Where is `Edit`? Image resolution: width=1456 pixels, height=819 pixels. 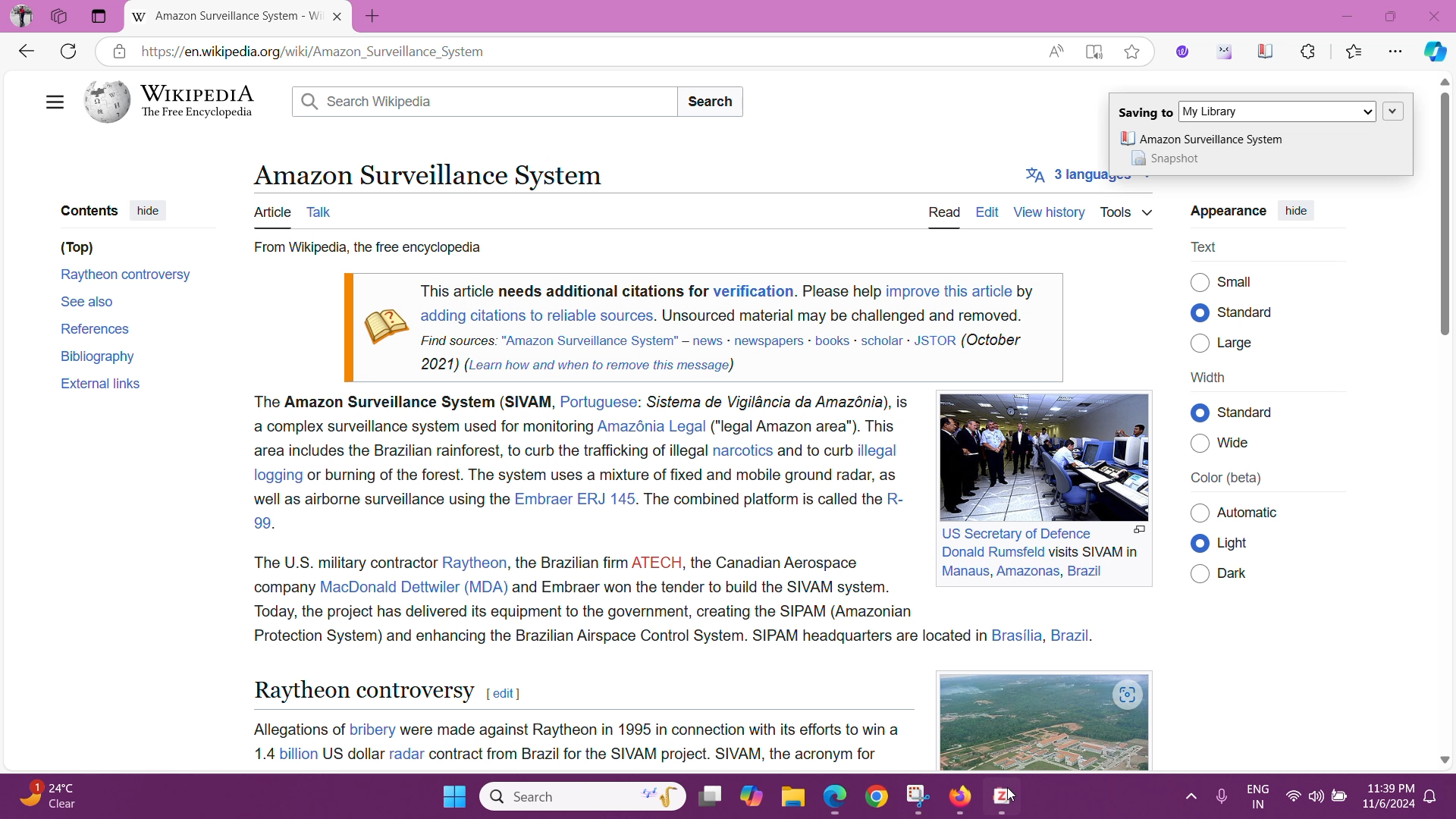
Edit is located at coordinates (987, 212).